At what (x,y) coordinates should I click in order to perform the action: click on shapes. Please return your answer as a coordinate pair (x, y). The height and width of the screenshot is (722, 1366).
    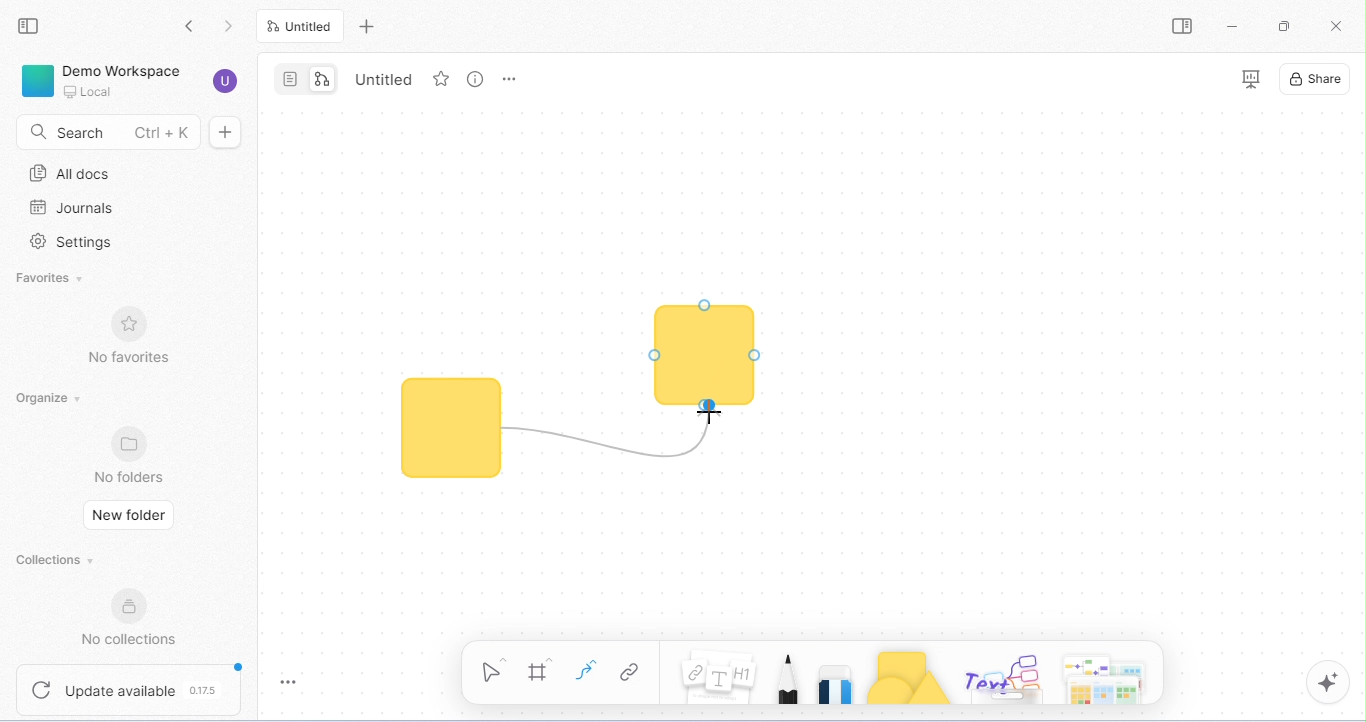
    Looking at the image, I should click on (910, 677).